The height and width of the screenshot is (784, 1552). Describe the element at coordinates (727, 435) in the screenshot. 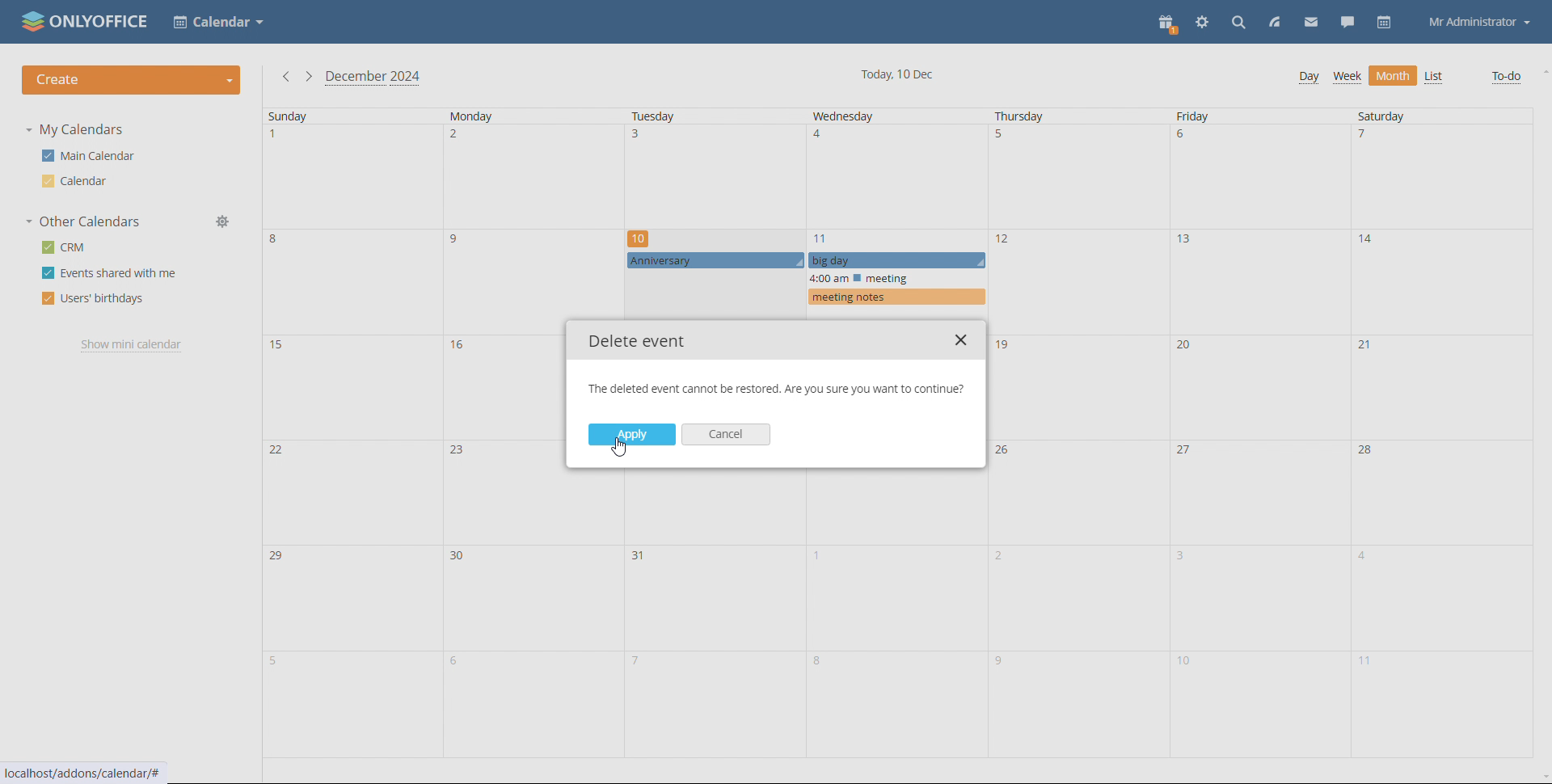

I see `cancel` at that location.